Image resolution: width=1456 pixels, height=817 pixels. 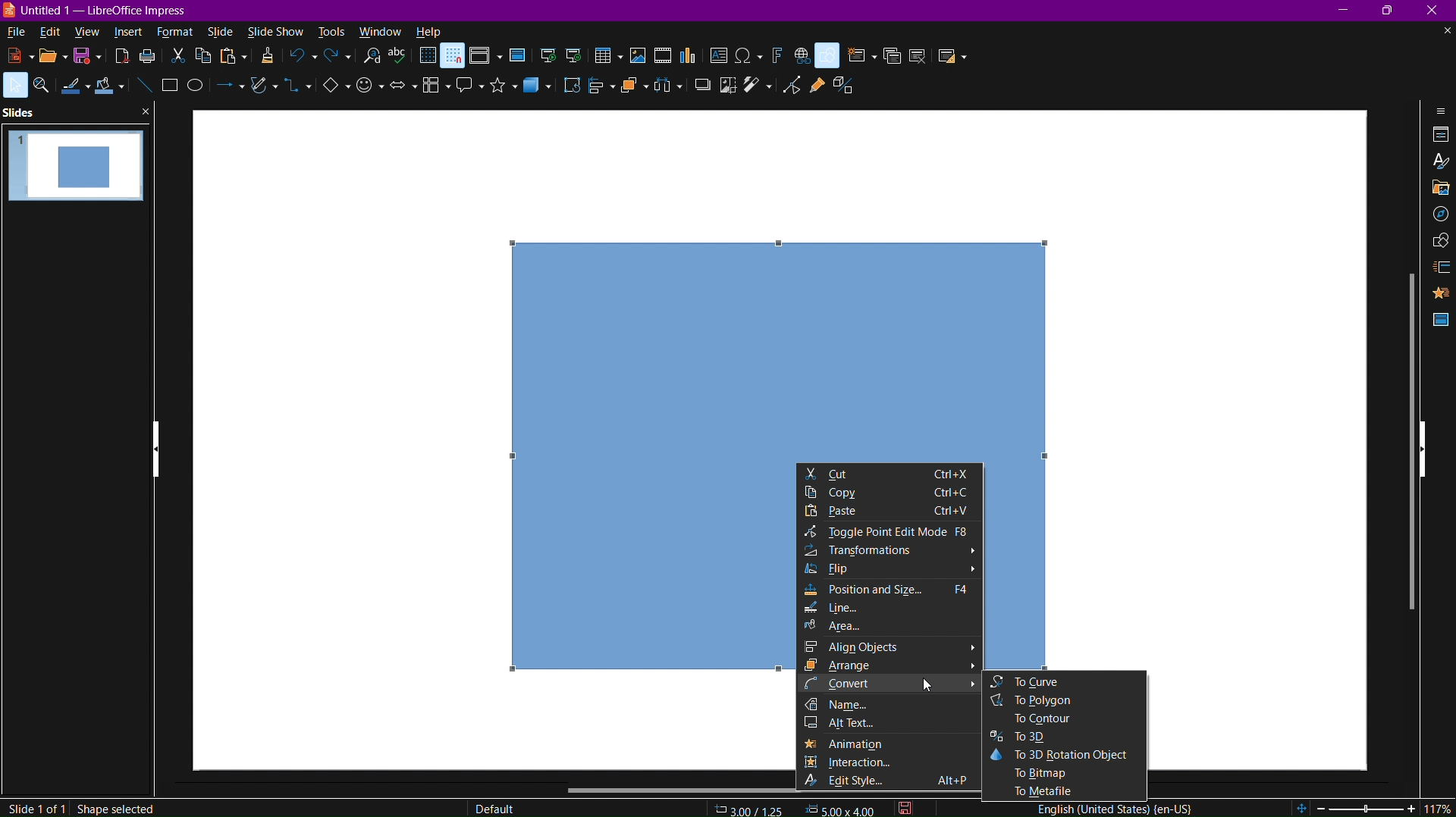 I want to click on Insert Image, so click(x=639, y=57).